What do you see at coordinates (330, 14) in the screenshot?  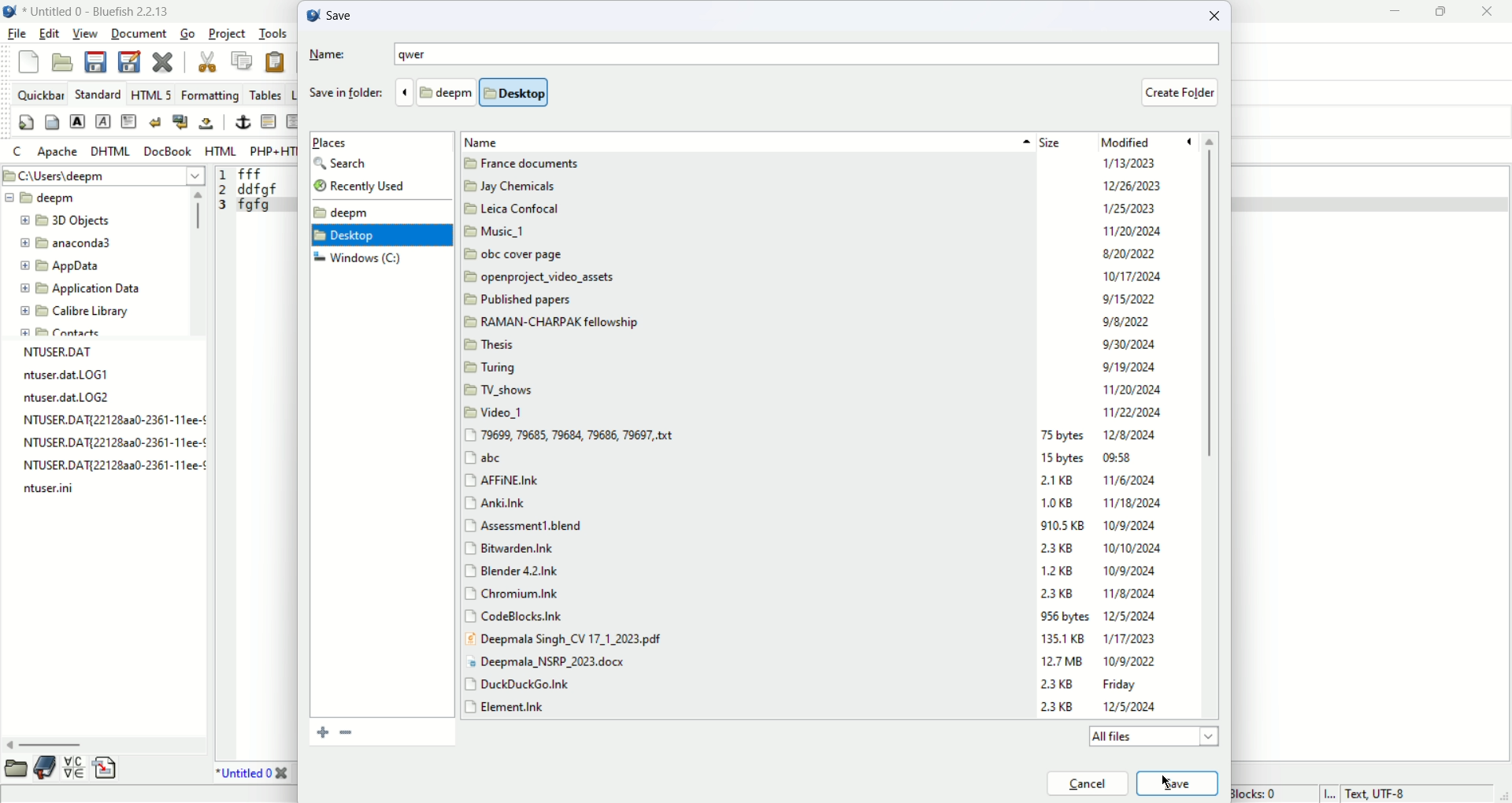 I see `save` at bounding box center [330, 14].